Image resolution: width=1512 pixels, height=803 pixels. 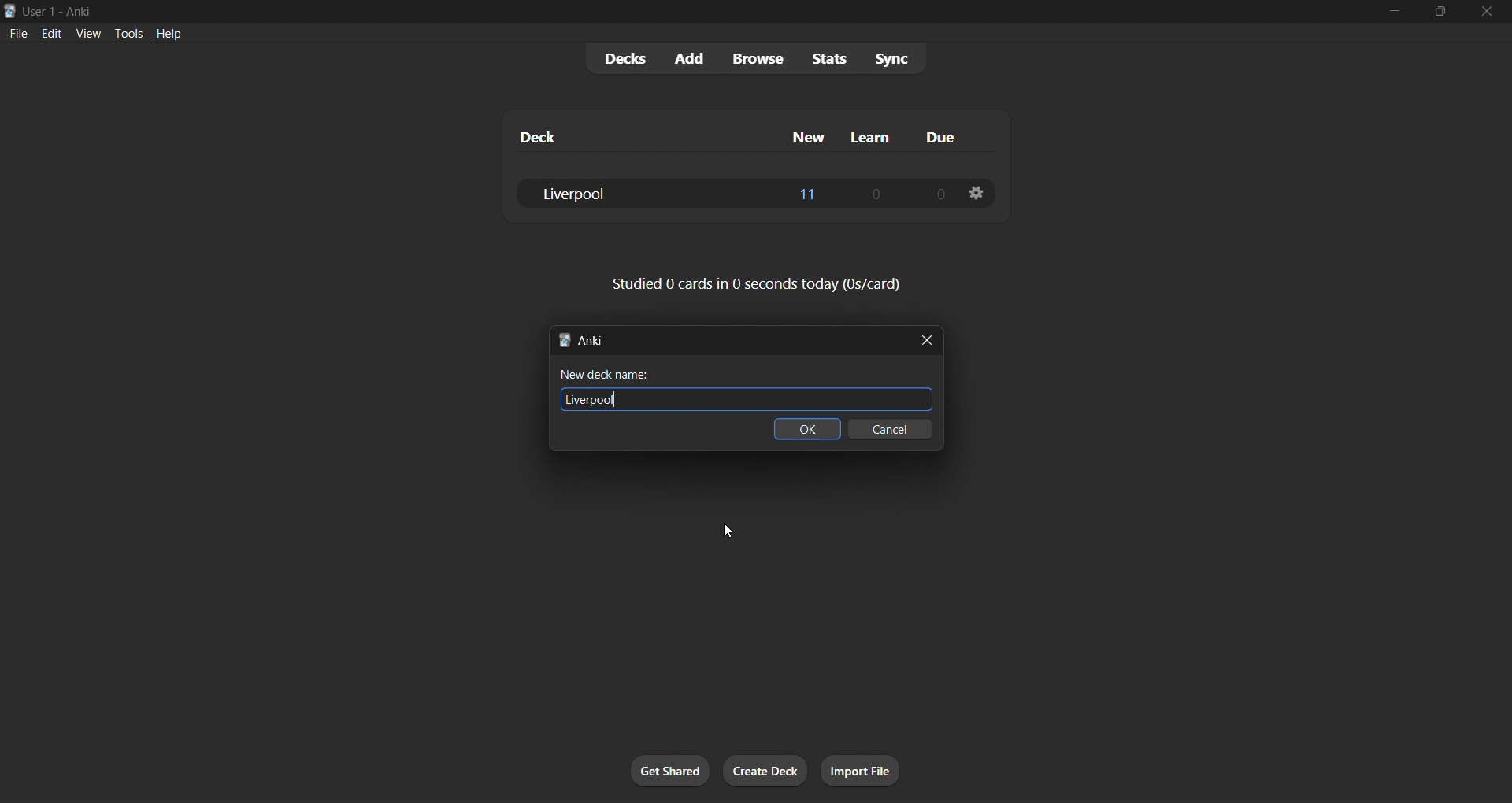 I want to click on view, so click(x=83, y=33).